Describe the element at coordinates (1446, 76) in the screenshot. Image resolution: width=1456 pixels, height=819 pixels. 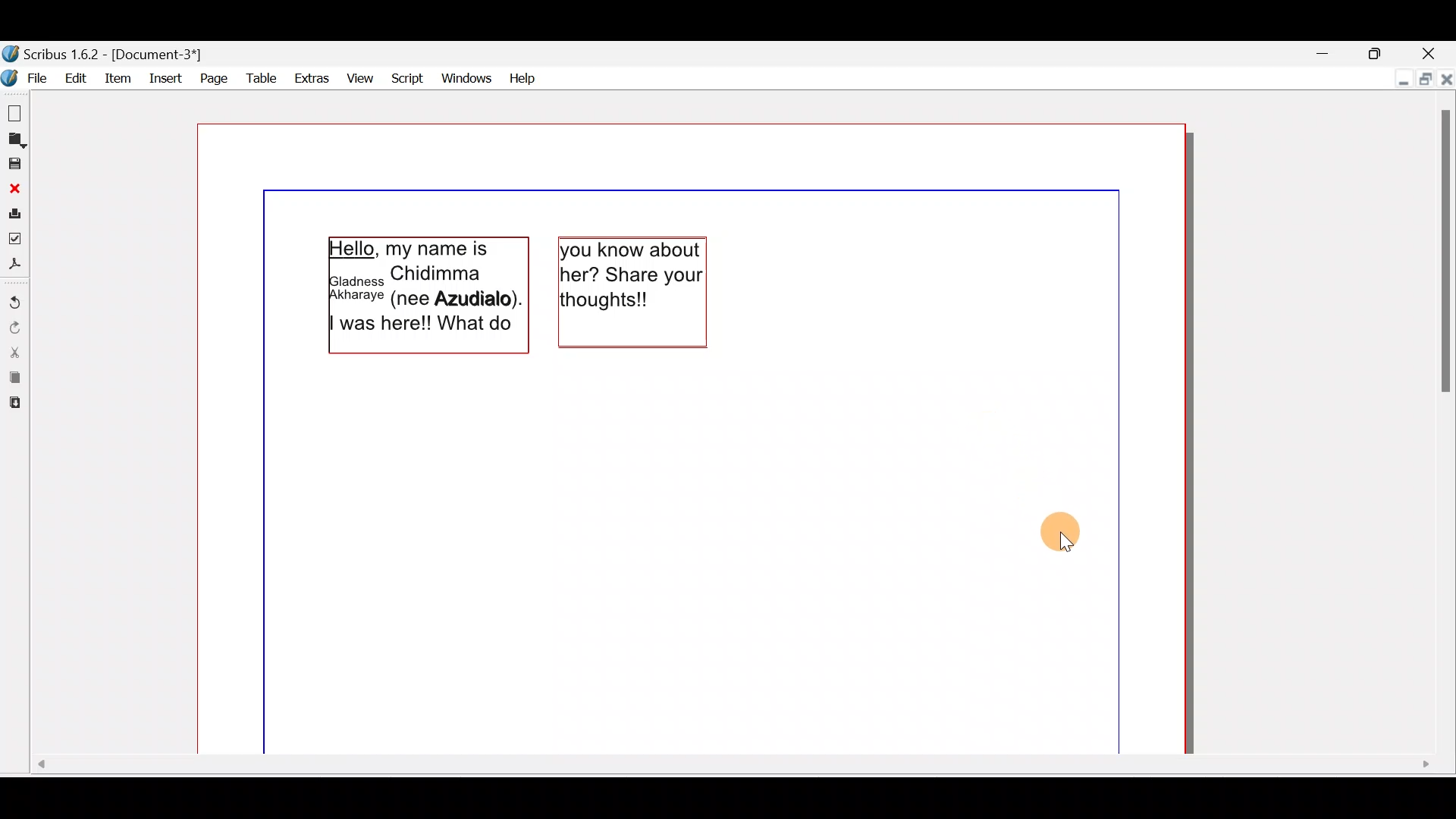
I see `Close` at that location.